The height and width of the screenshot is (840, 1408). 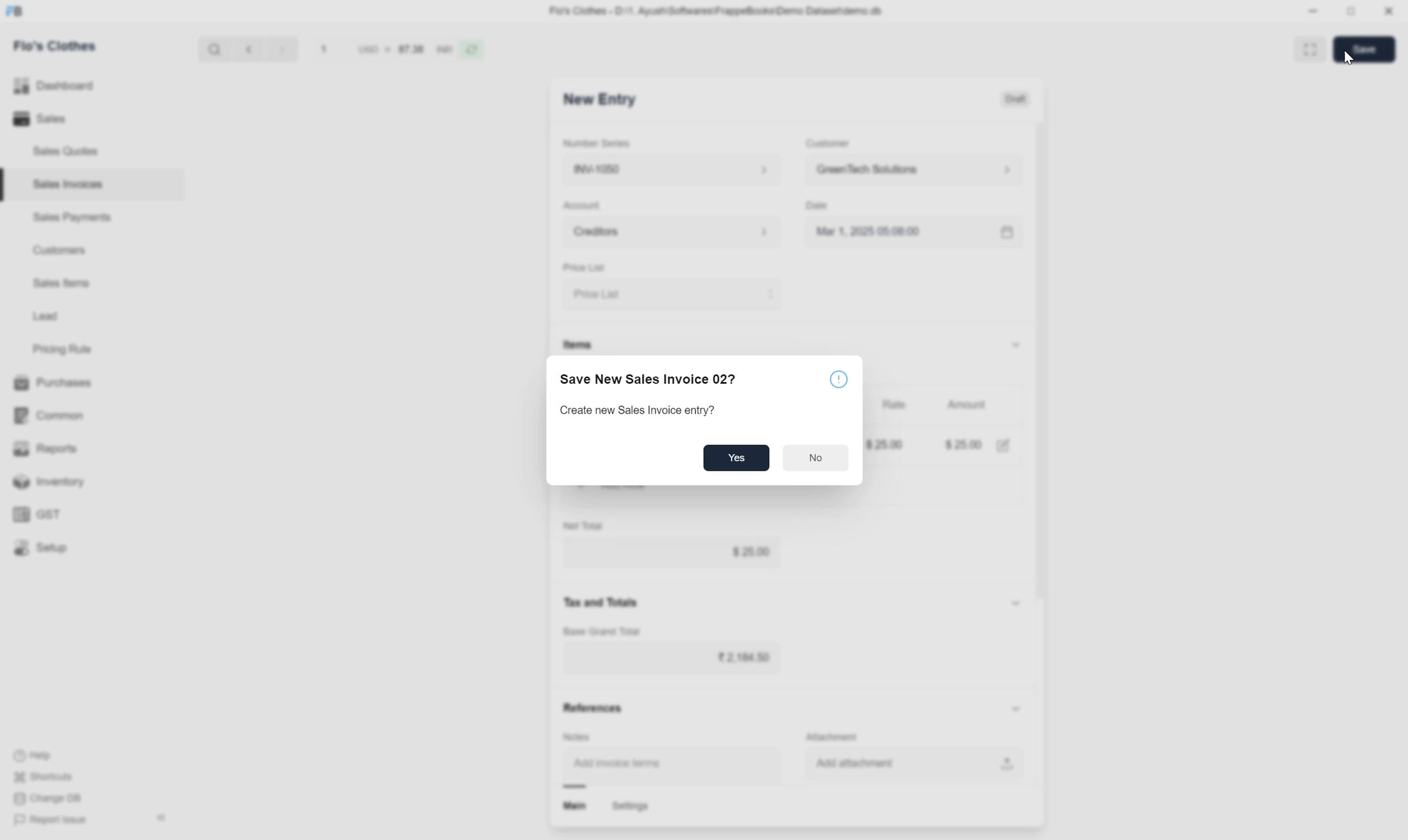 What do you see at coordinates (54, 777) in the screenshot?
I see `shortcuts ` at bounding box center [54, 777].